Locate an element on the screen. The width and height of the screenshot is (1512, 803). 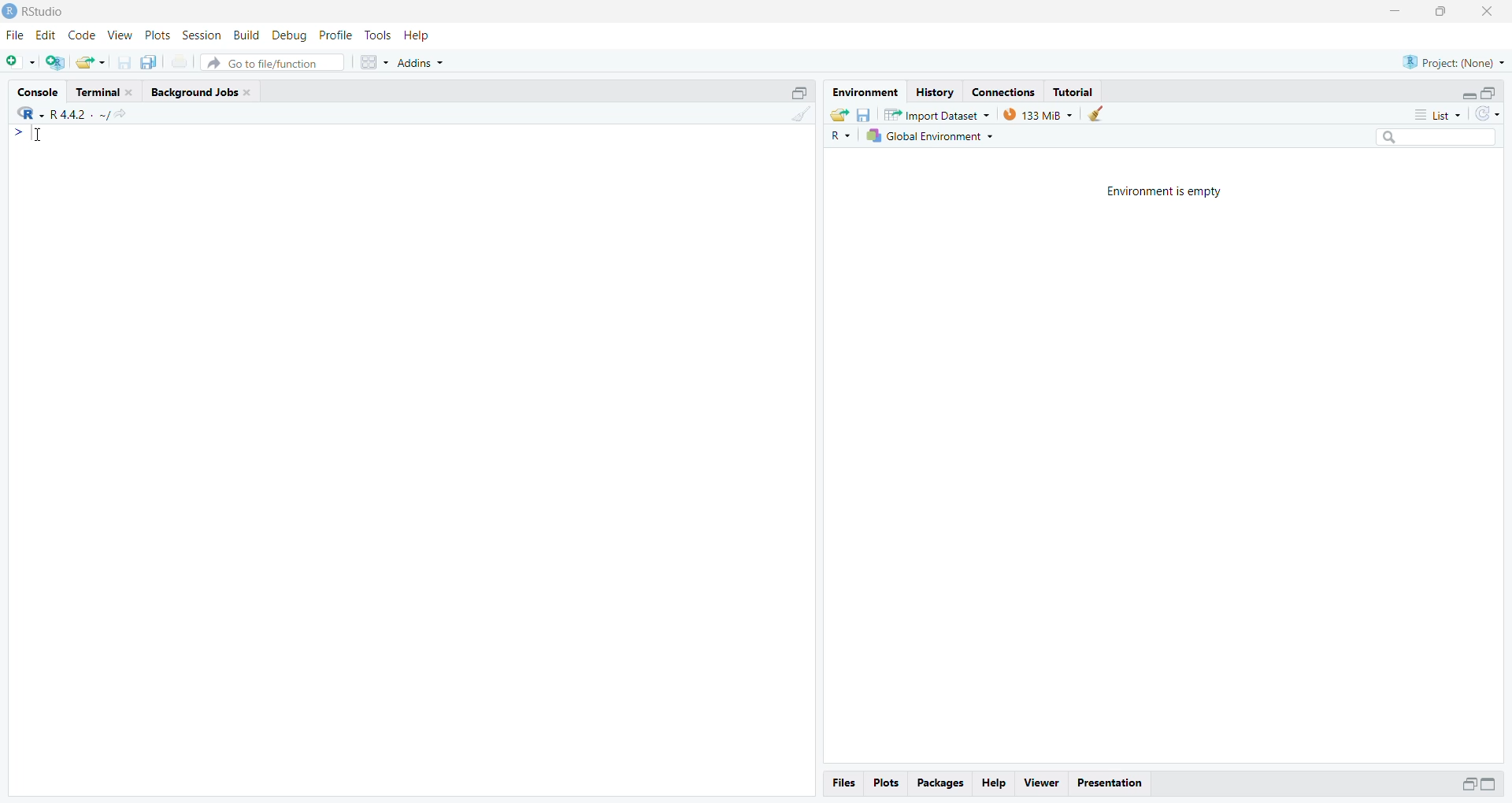
Project (Name) is located at coordinates (1455, 64).